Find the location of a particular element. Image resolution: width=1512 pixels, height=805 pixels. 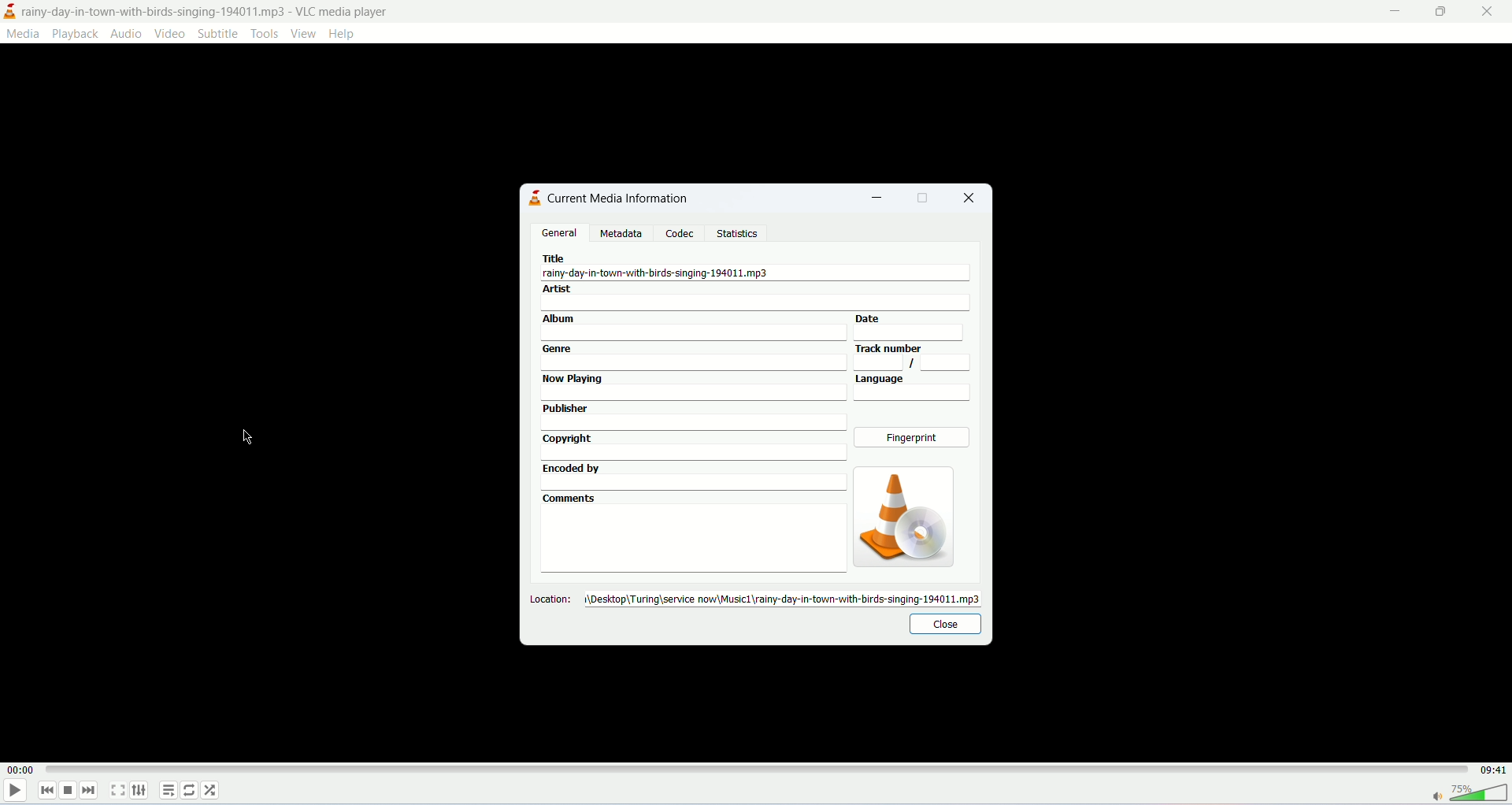

publisher is located at coordinates (694, 415).